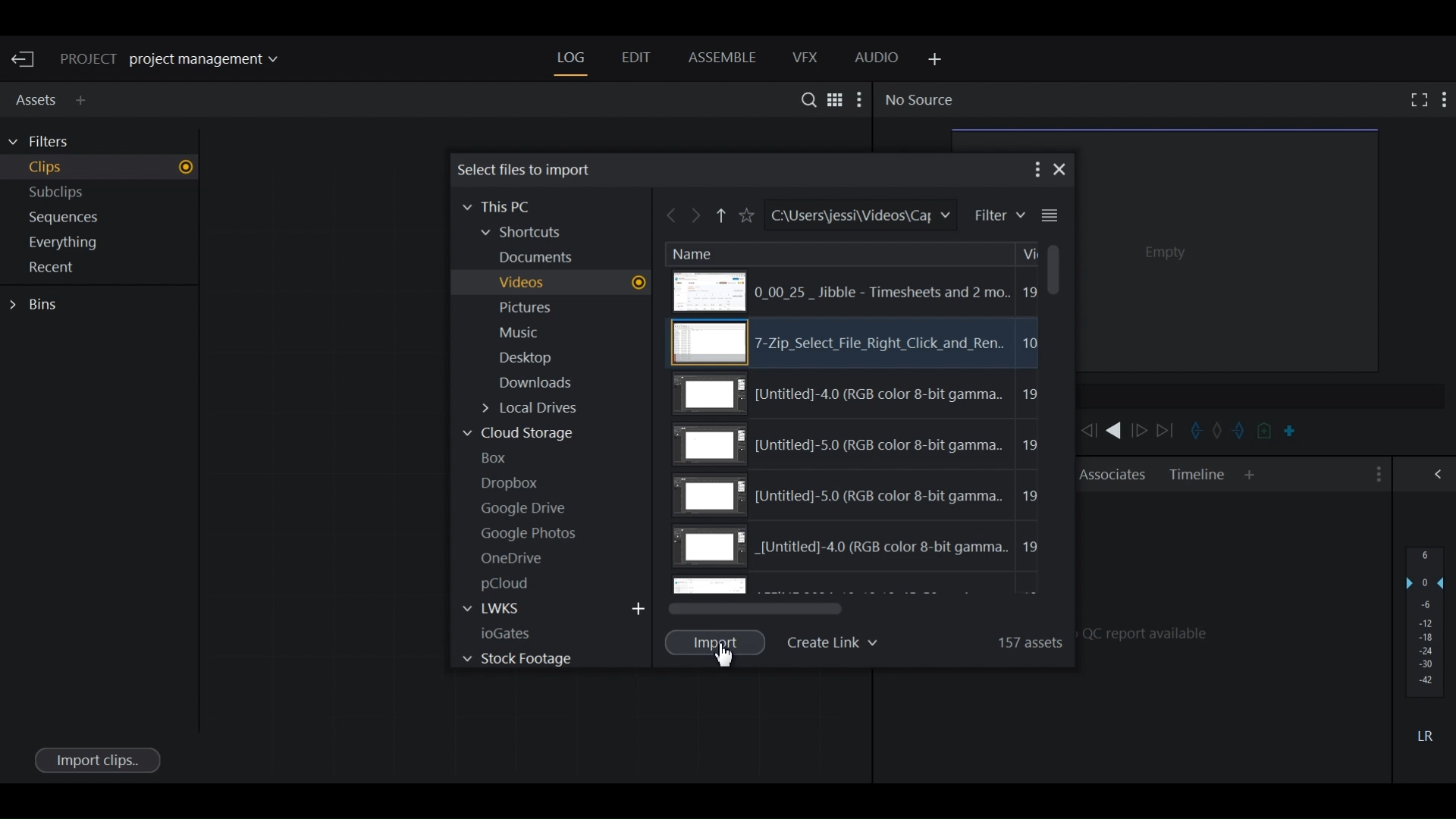 Image resolution: width=1456 pixels, height=819 pixels. I want to click on Show sequences in current project, so click(103, 219).